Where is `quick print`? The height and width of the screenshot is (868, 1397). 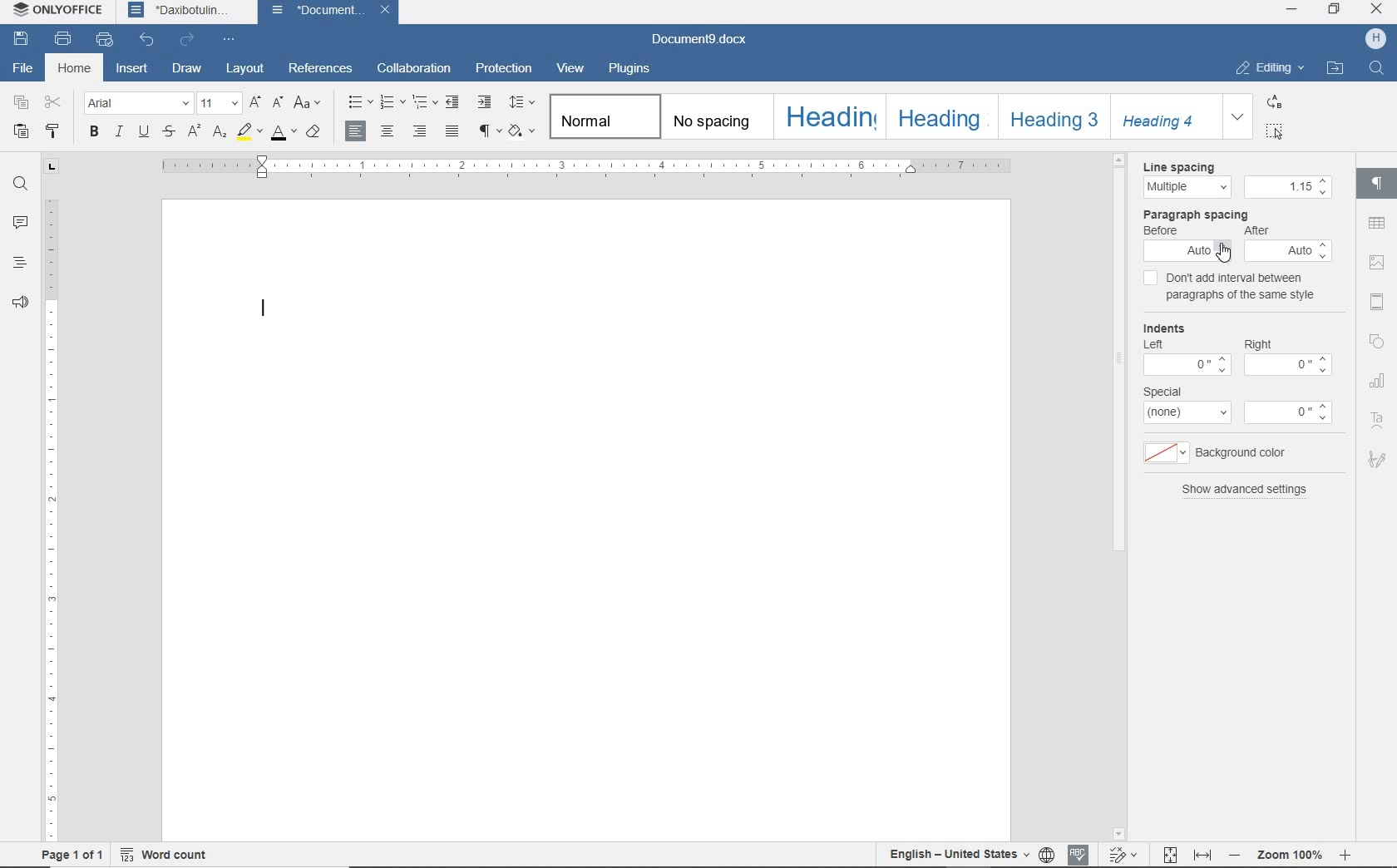
quick print is located at coordinates (106, 40).